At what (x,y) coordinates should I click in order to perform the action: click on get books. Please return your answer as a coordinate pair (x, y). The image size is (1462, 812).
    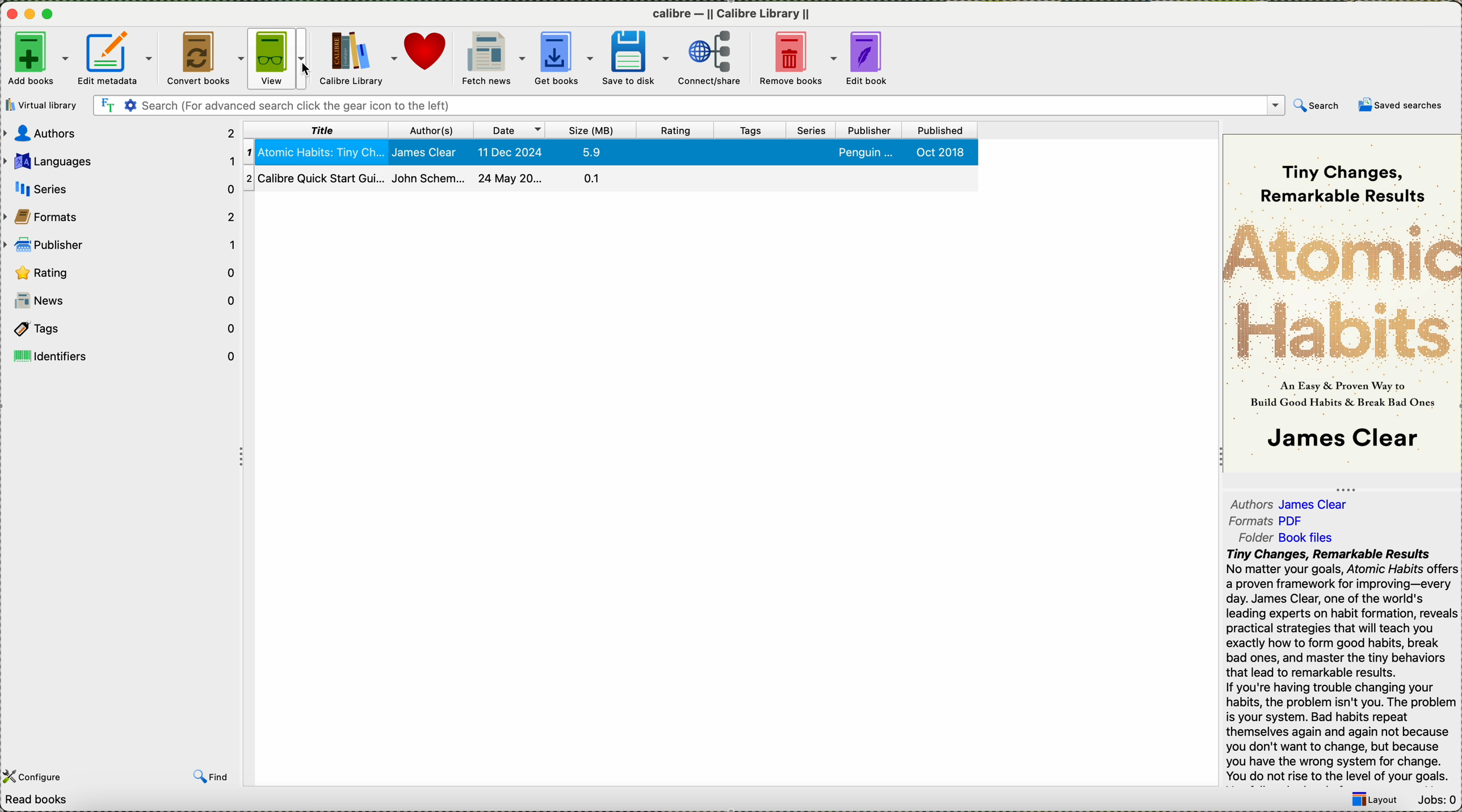
    Looking at the image, I should click on (563, 58).